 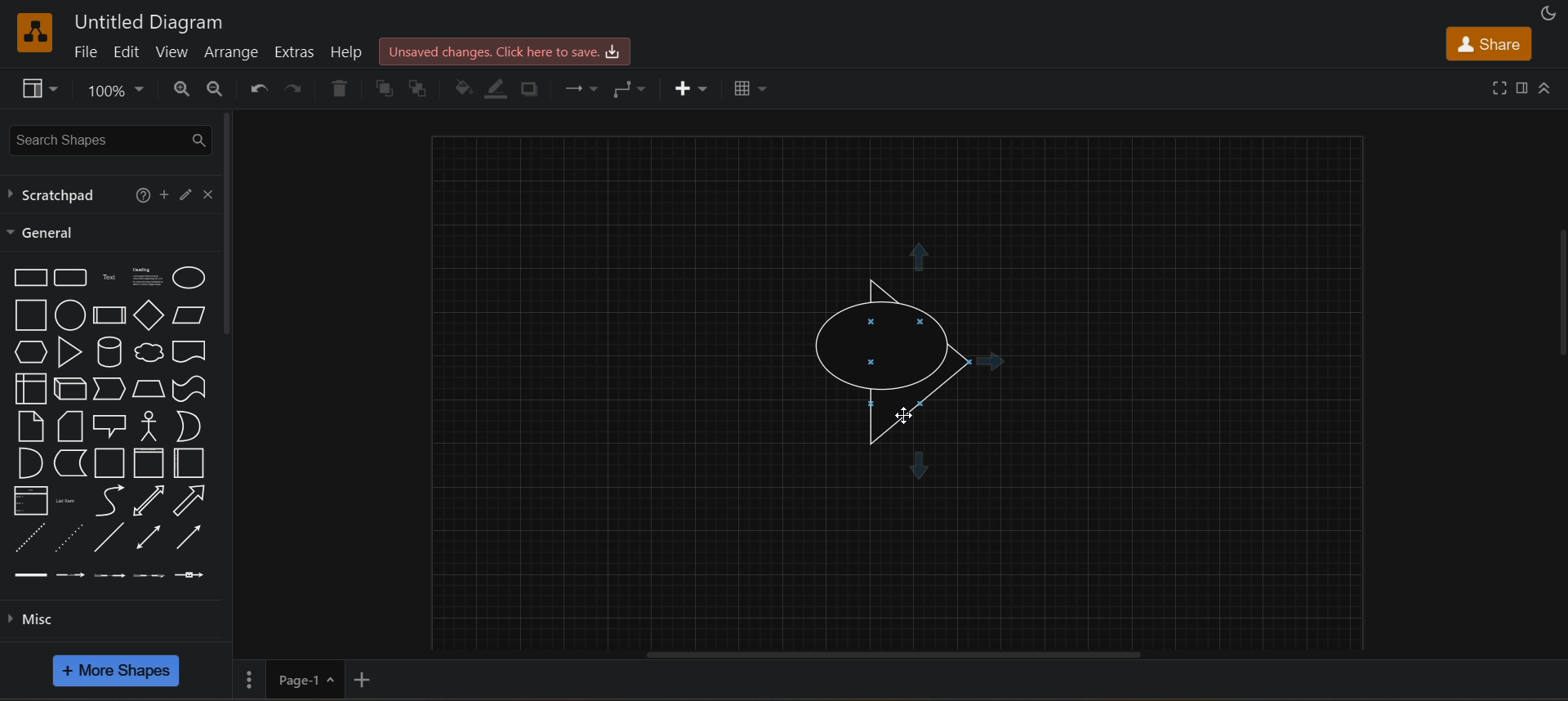 What do you see at coordinates (212, 192) in the screenshot?
I see `close` at bounding box center [212, 192].